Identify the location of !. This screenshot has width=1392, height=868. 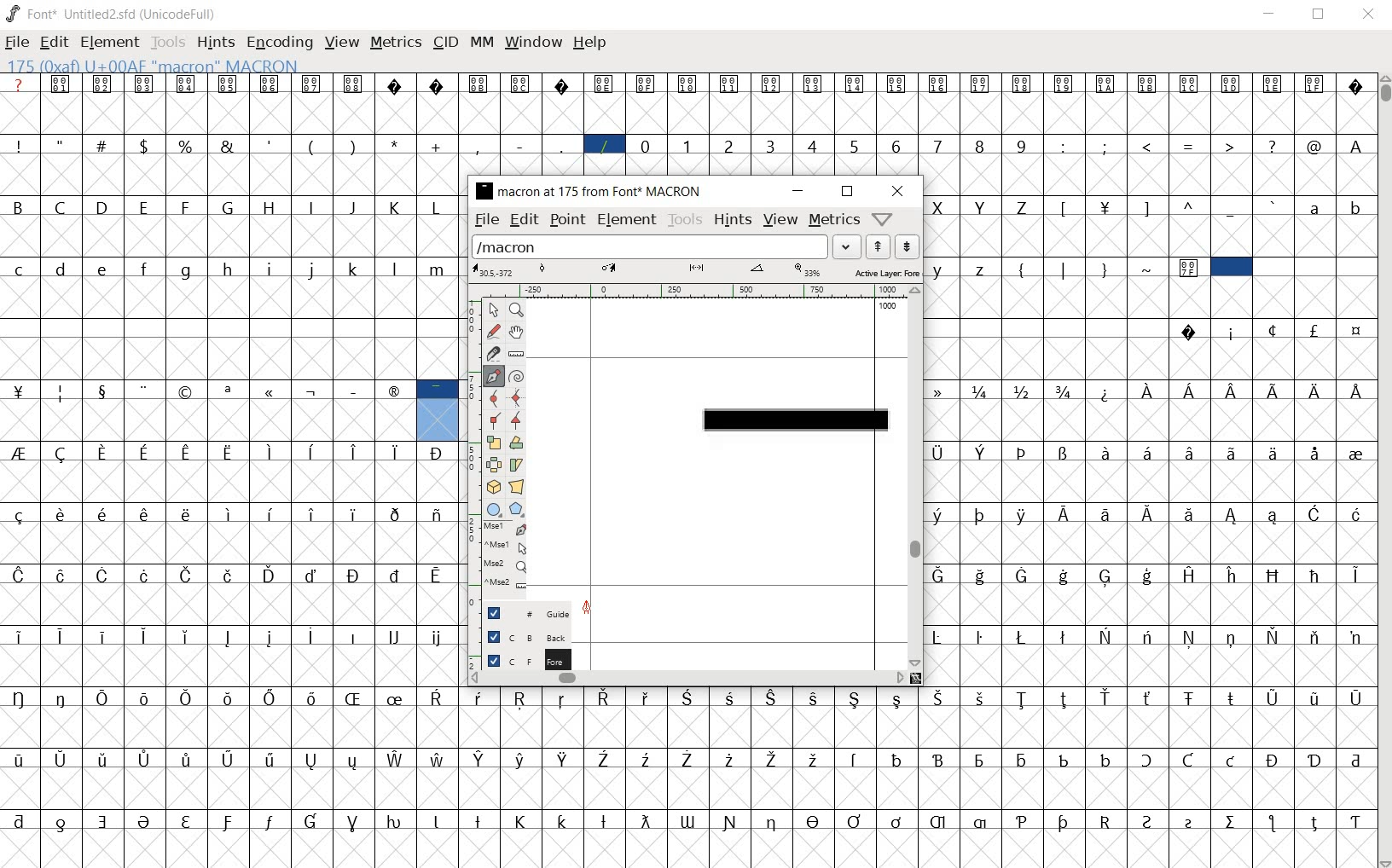
(19, 145).